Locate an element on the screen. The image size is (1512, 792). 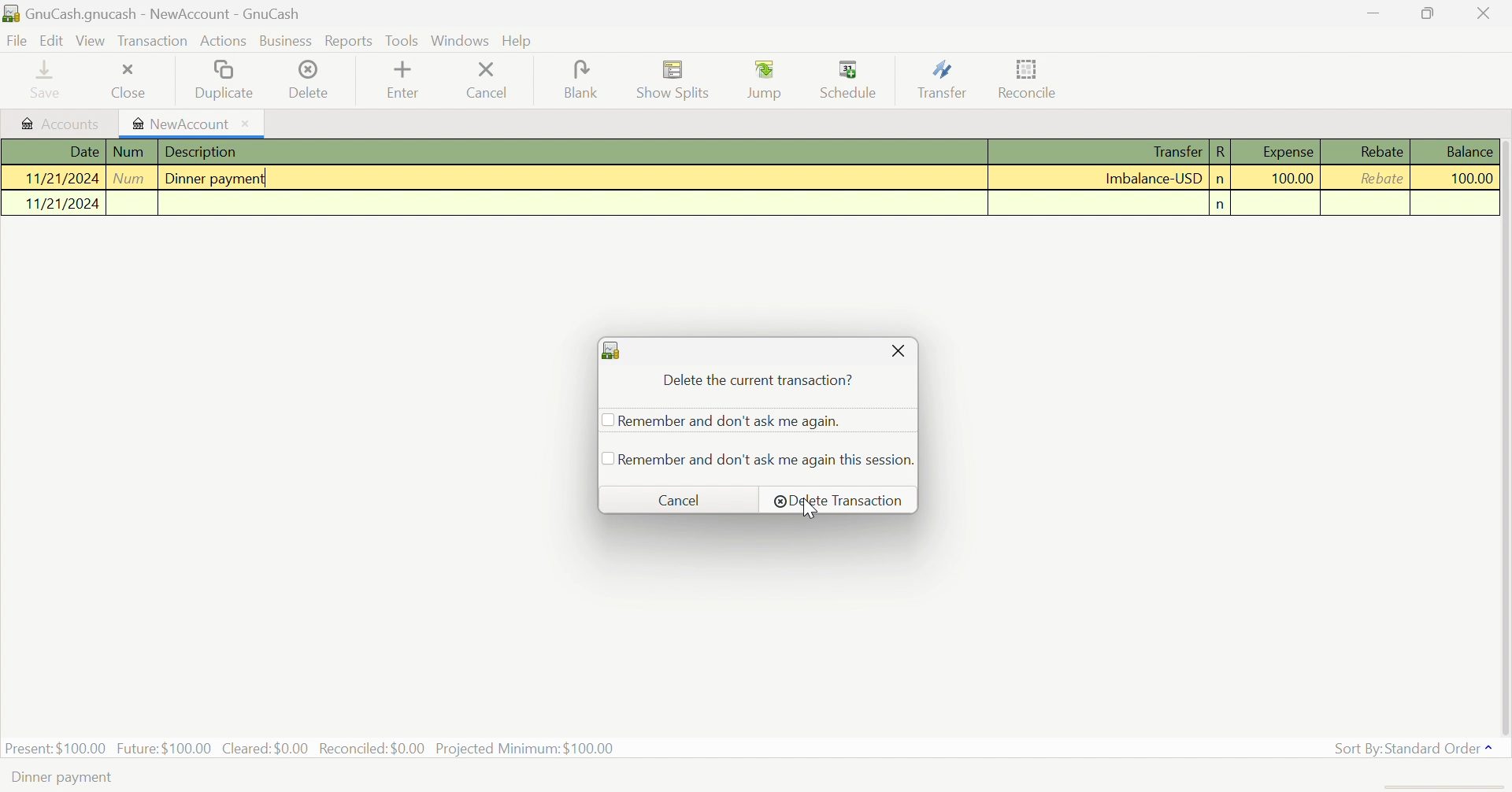
Description is located at coordinates (199, 152).